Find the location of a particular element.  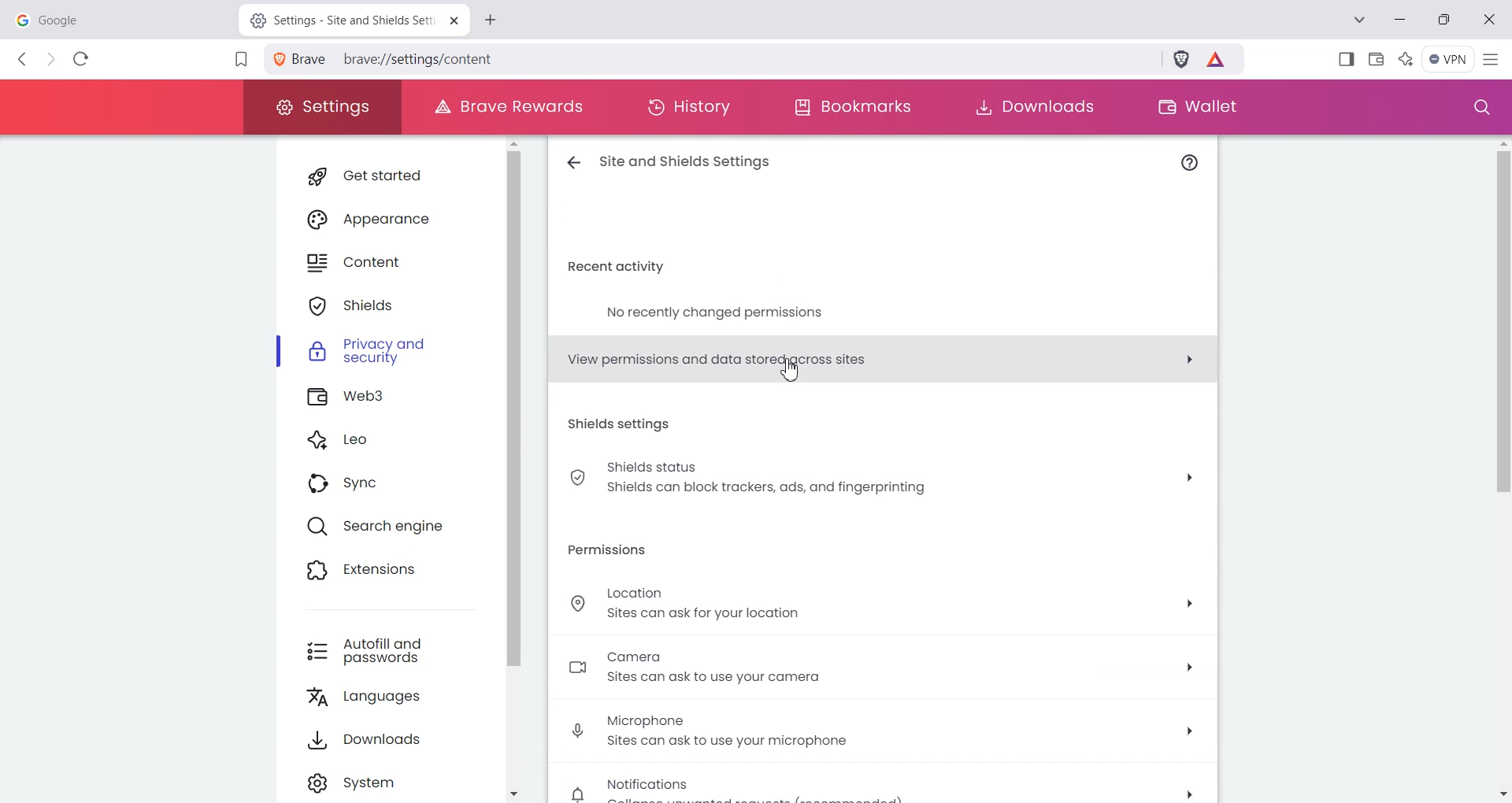

permissions is located at coordinates (611, 550).